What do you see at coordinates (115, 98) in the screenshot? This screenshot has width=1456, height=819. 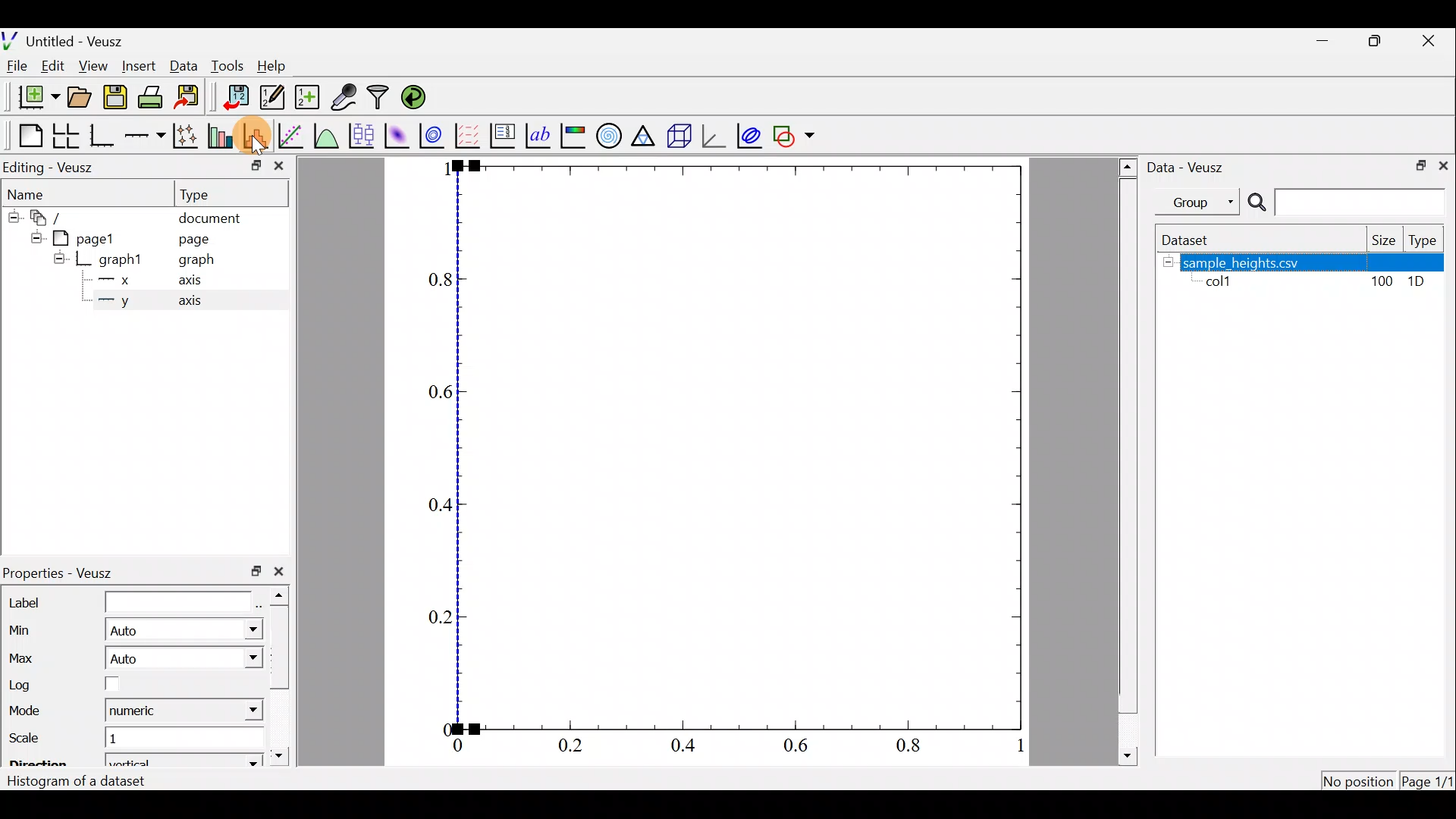 I see `save the document` at bounding box center [115, 98].